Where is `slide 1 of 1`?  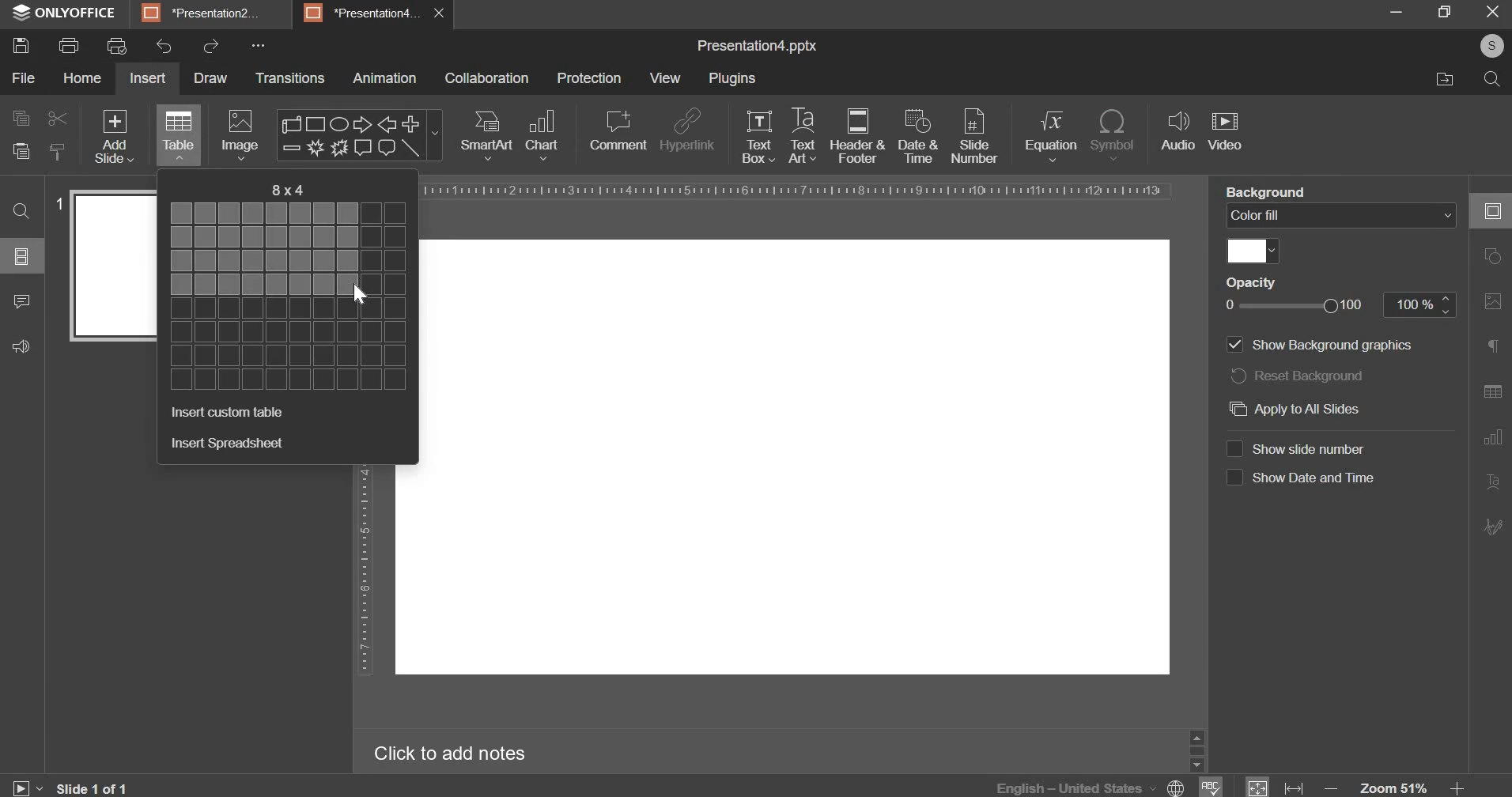
slide 1 of 1 is located at coordinates (94, 788).